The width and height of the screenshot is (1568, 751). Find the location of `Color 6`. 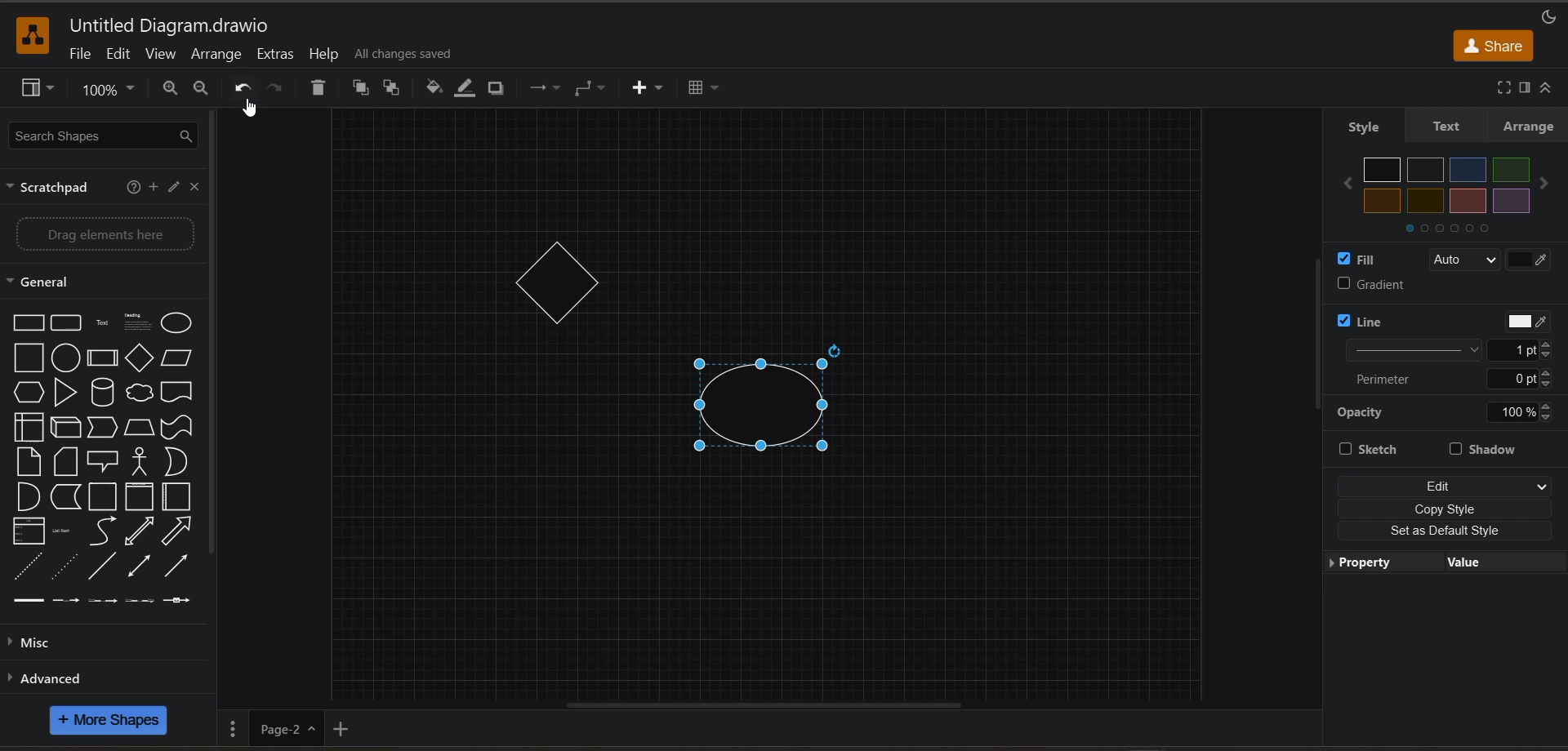

Color 6 is located at coordinates (1426, 202).